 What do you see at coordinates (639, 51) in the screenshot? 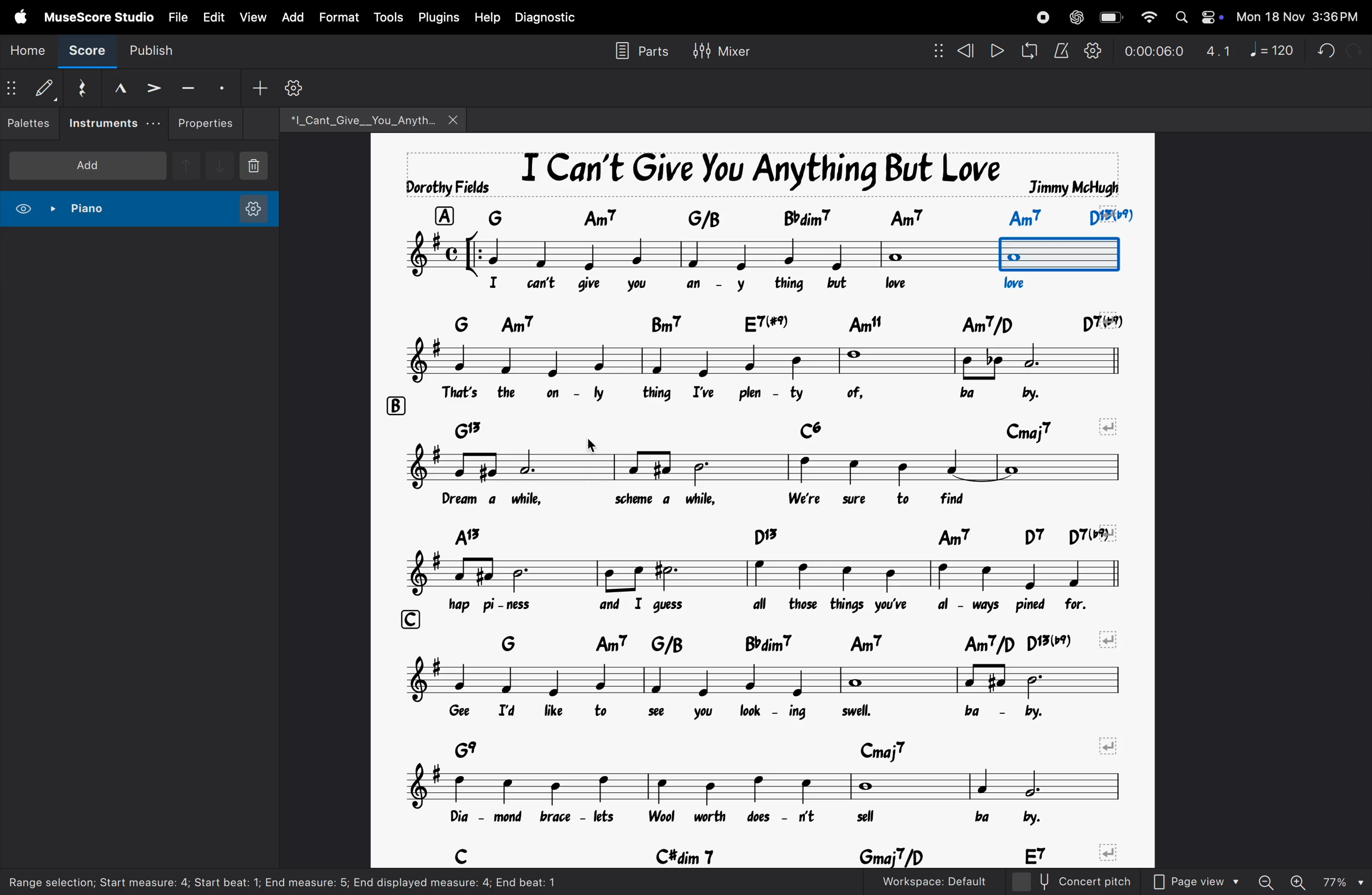
I see `parts` at bounding box center [639, 51].